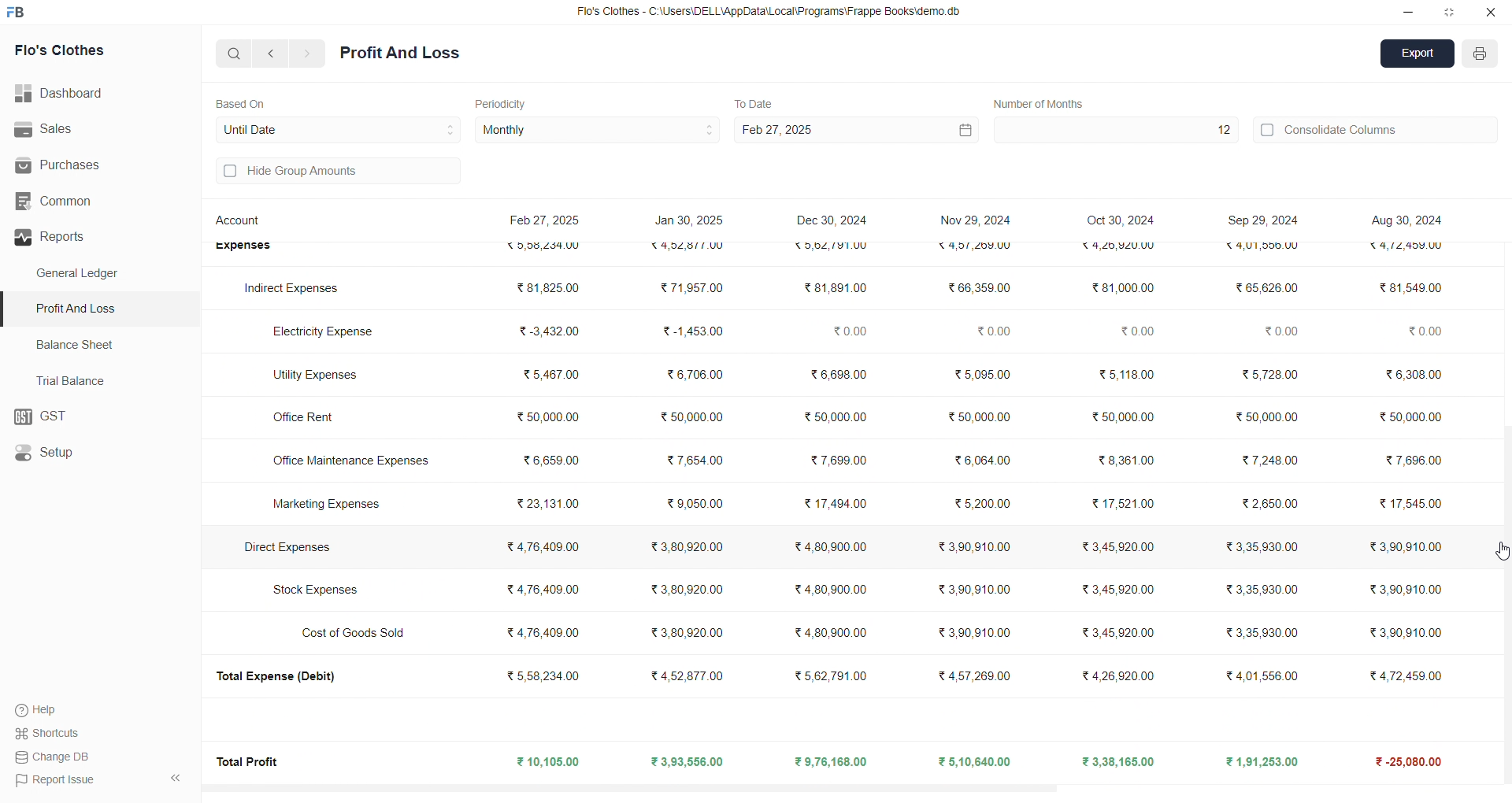  I want to click on Help, so click(43, 709).